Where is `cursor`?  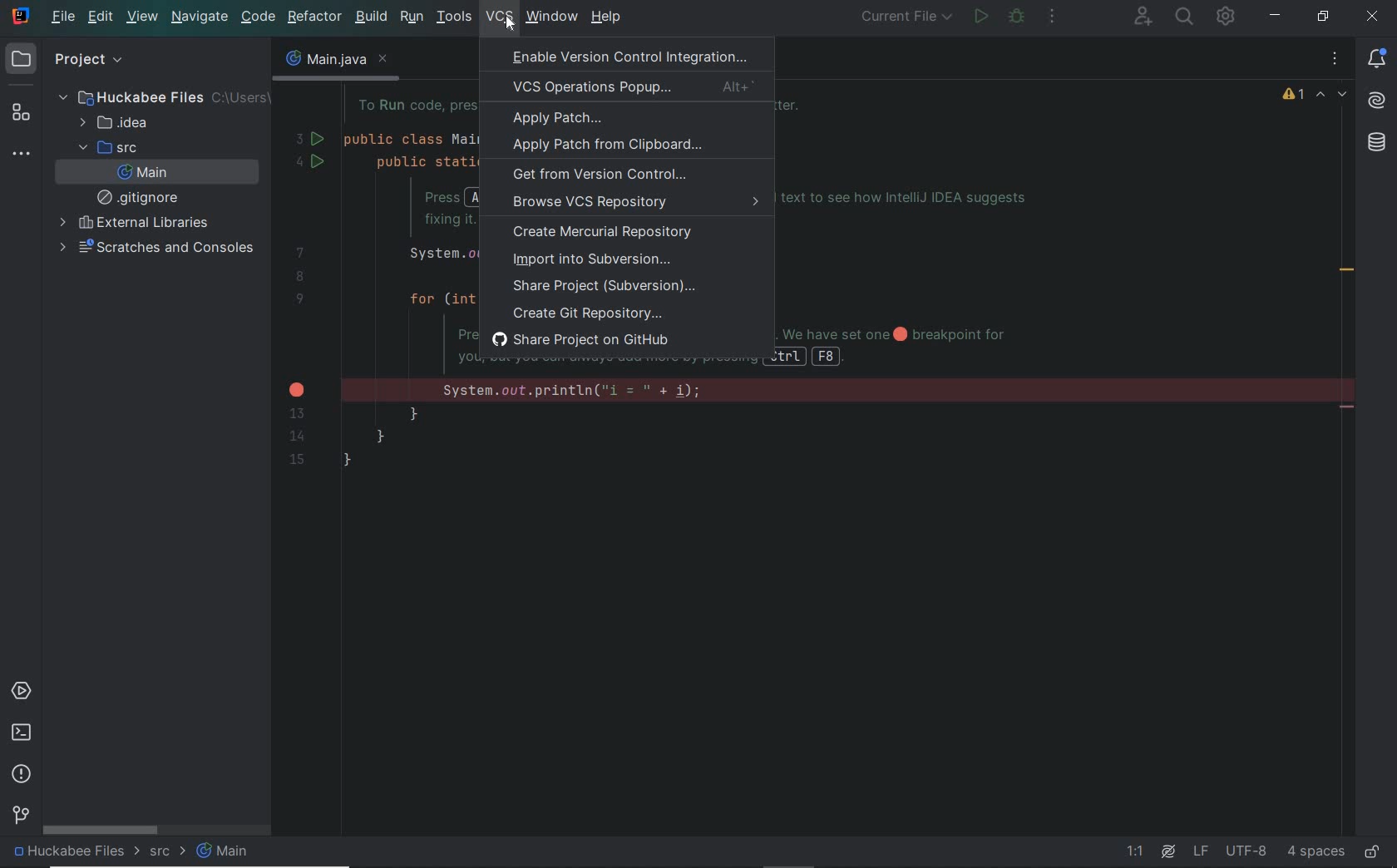 cursor is located at coordinates (509, 23).